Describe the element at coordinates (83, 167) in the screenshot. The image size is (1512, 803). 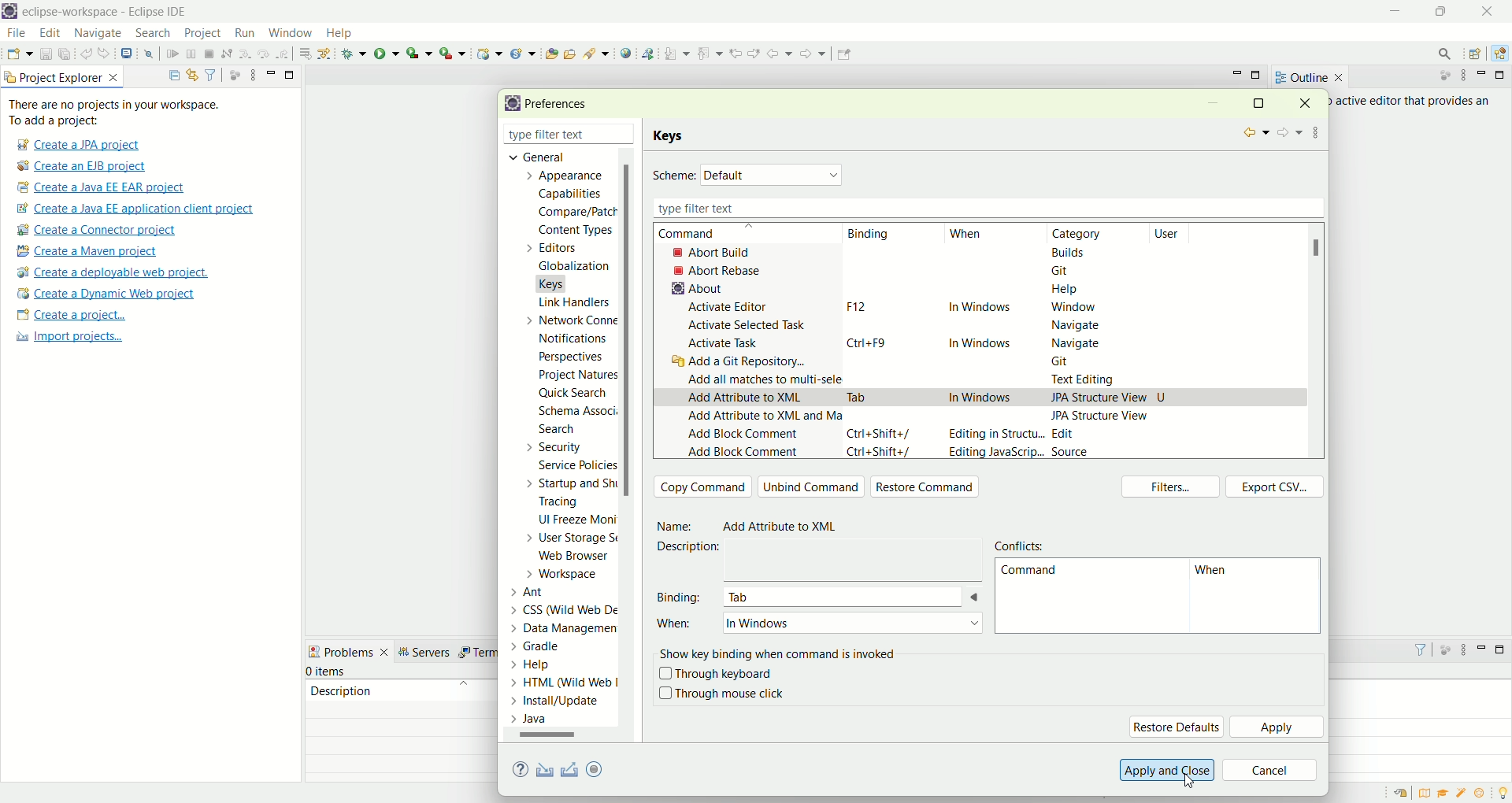
I see `create a EJB project` at that location.